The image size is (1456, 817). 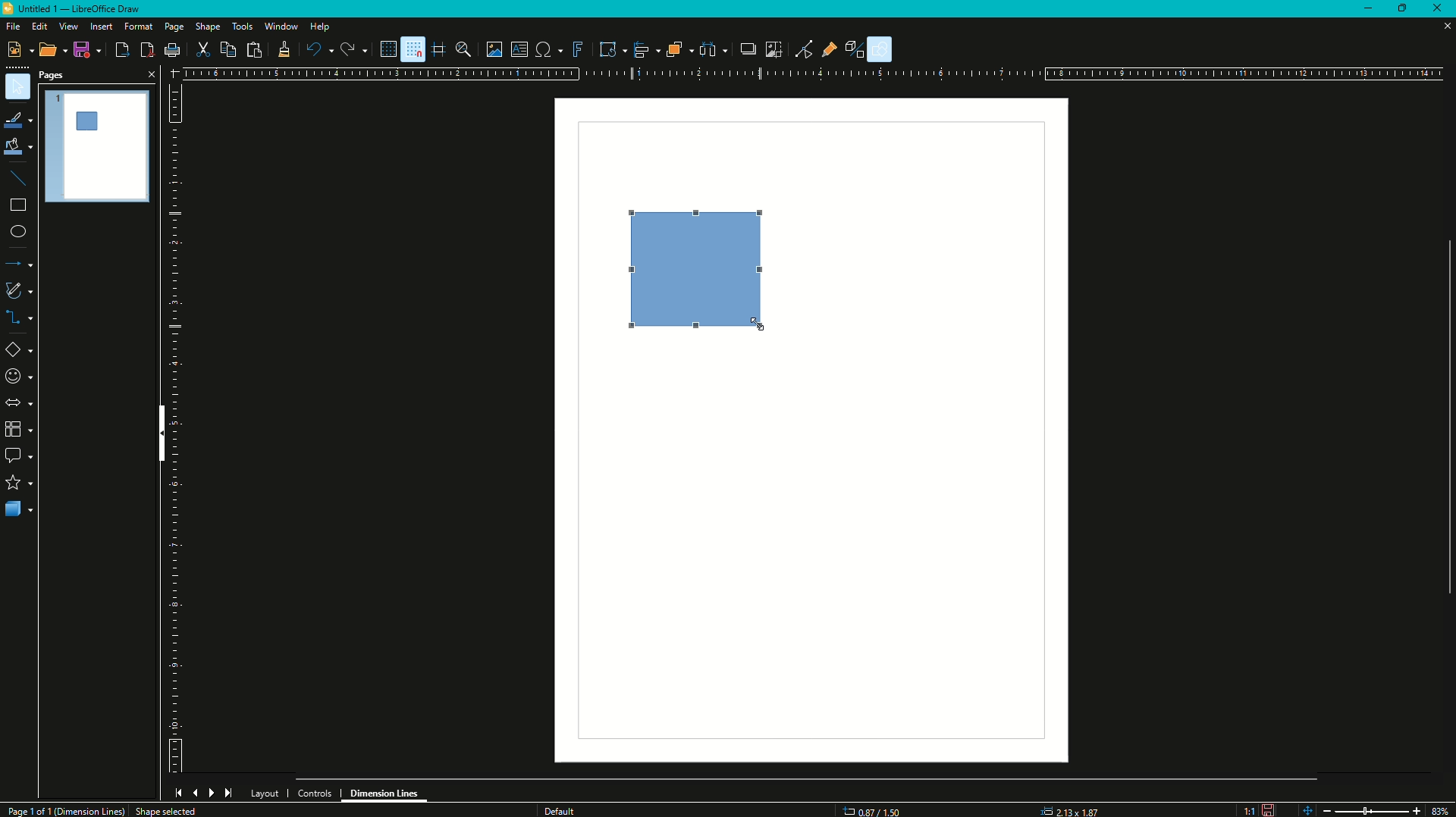 I want to click on Copy, so click(x=226, y=50).